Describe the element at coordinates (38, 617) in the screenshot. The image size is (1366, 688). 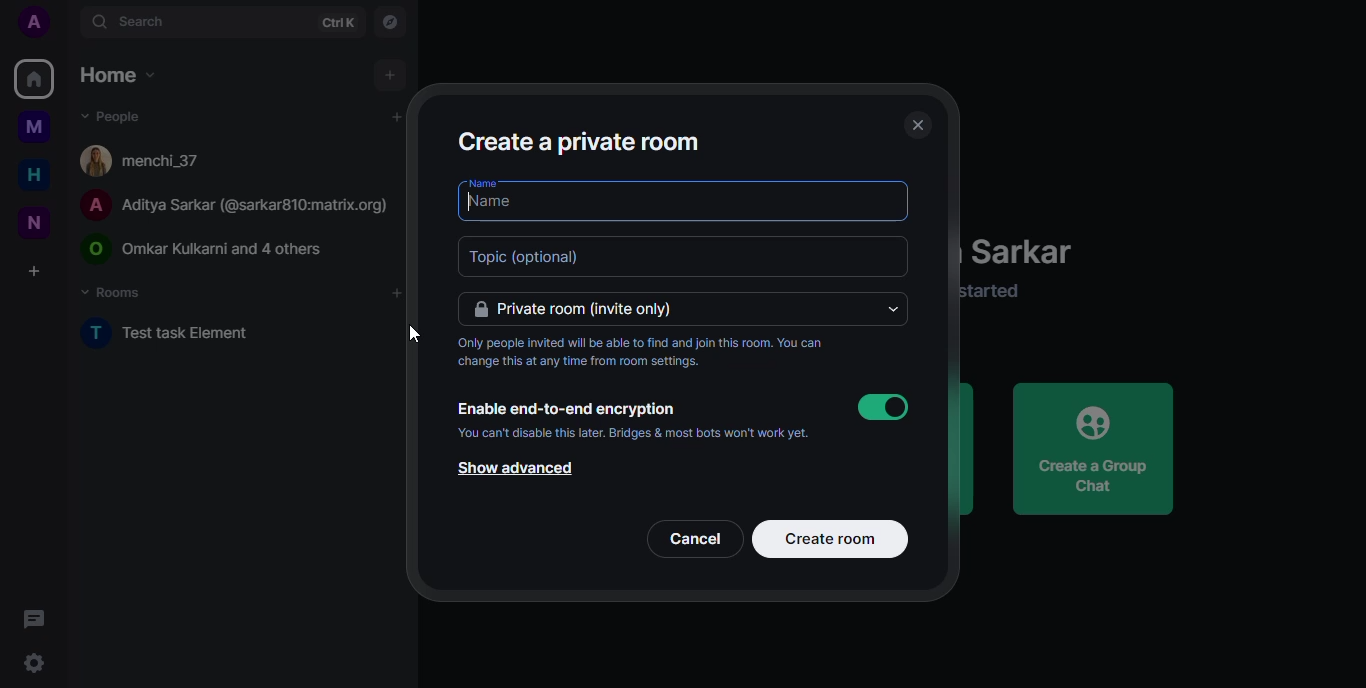
I see `threads` at that location.